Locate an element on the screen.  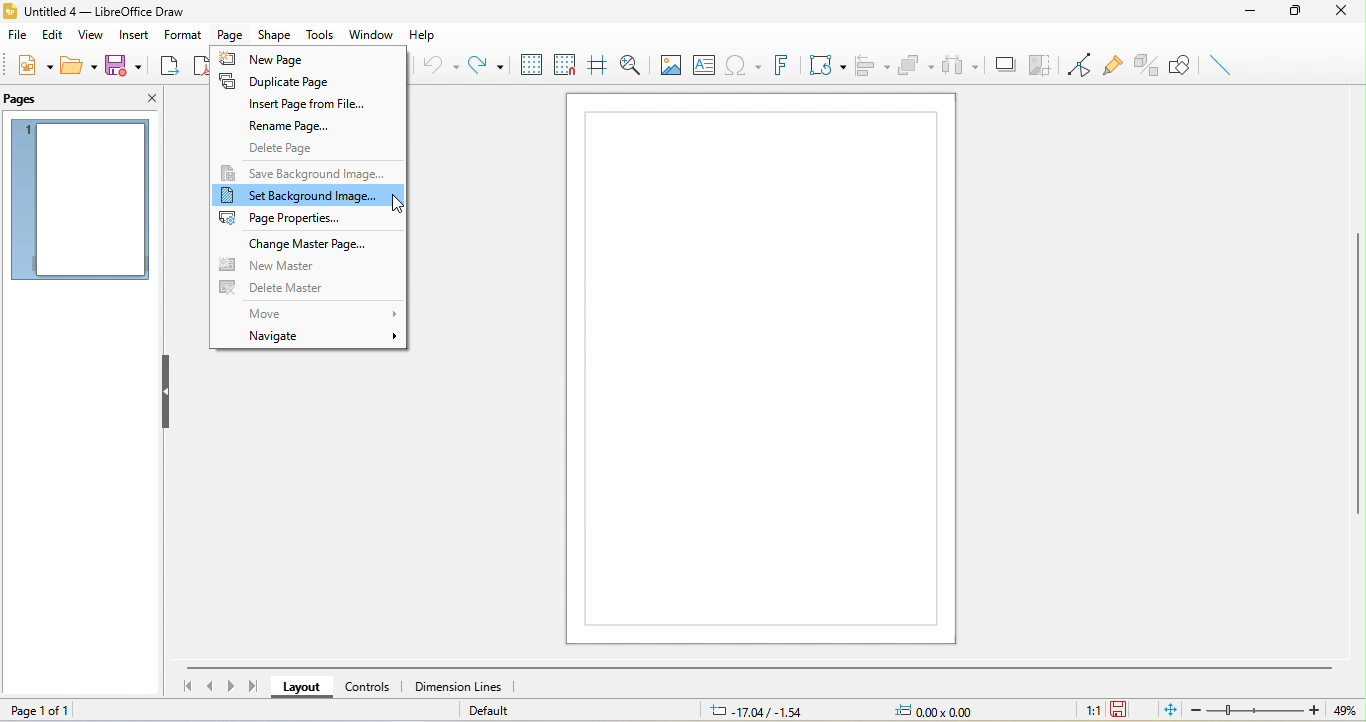
view is located at coordinates (94, 36).